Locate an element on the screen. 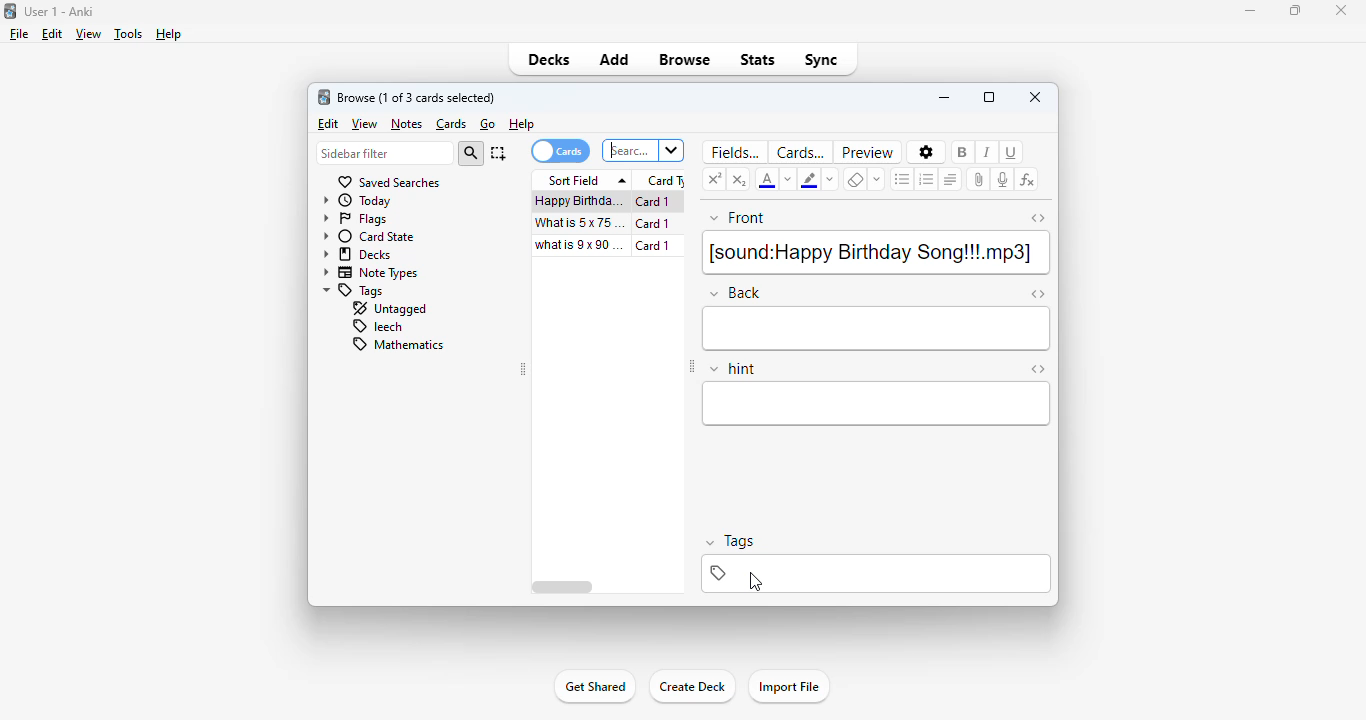 Image resolution: width=1366 pixels, height=720 pixels. options is located at coordinates (925, 152).